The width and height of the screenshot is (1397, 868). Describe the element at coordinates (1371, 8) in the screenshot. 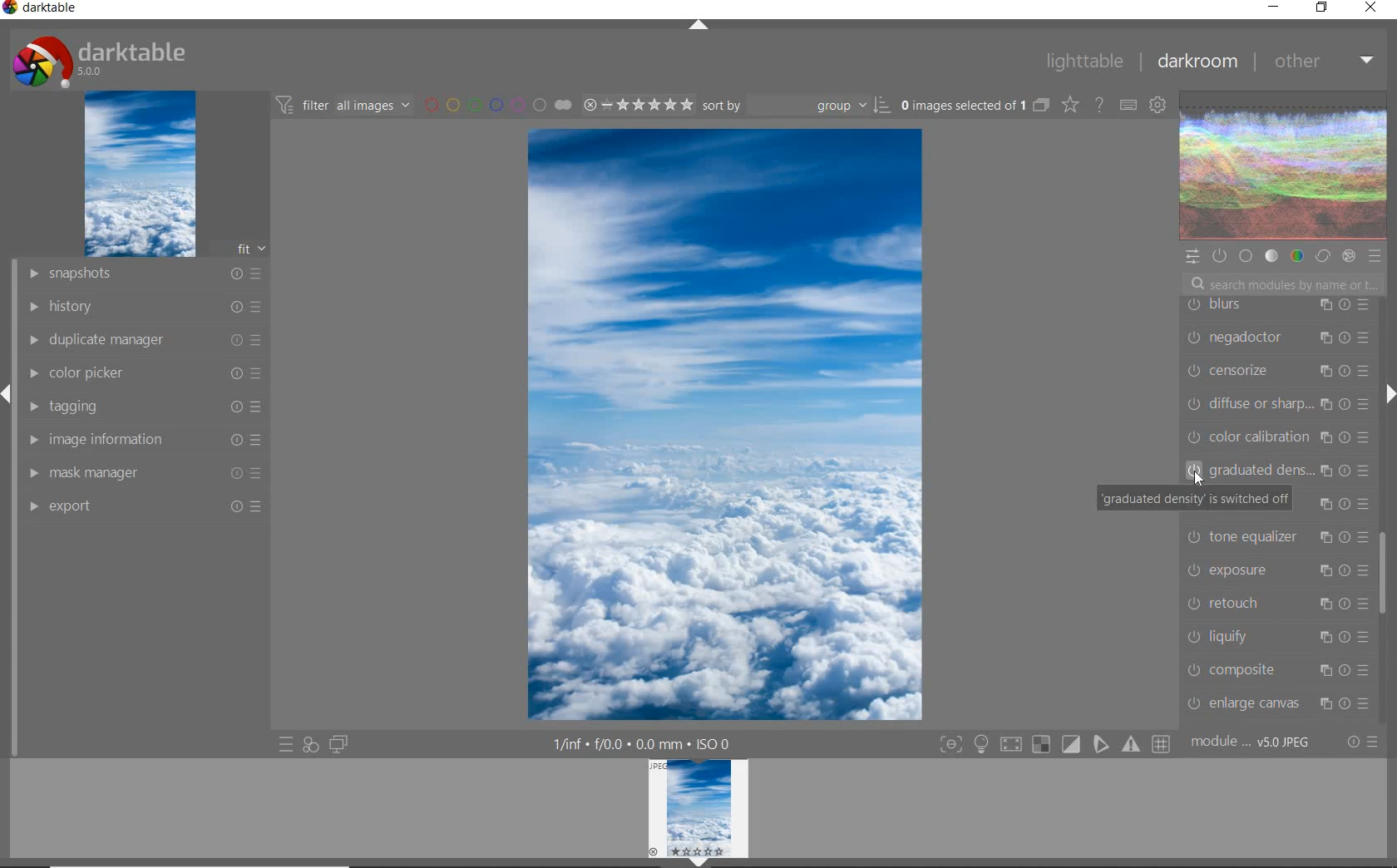

I see `CLOSE` at that location.